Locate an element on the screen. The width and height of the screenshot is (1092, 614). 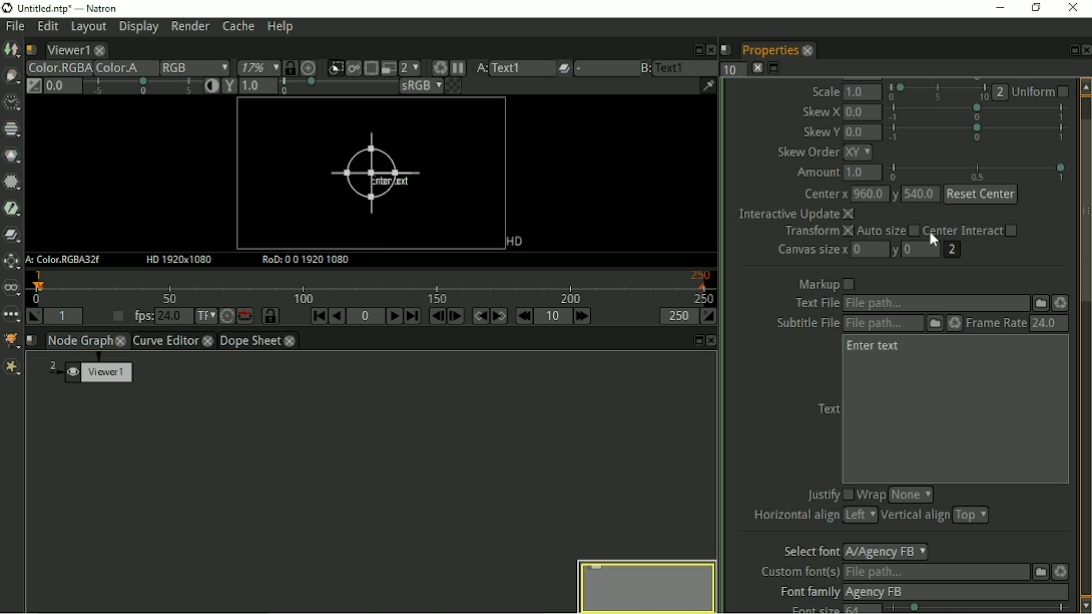
Pause updates is located at coordinates (459, 68).